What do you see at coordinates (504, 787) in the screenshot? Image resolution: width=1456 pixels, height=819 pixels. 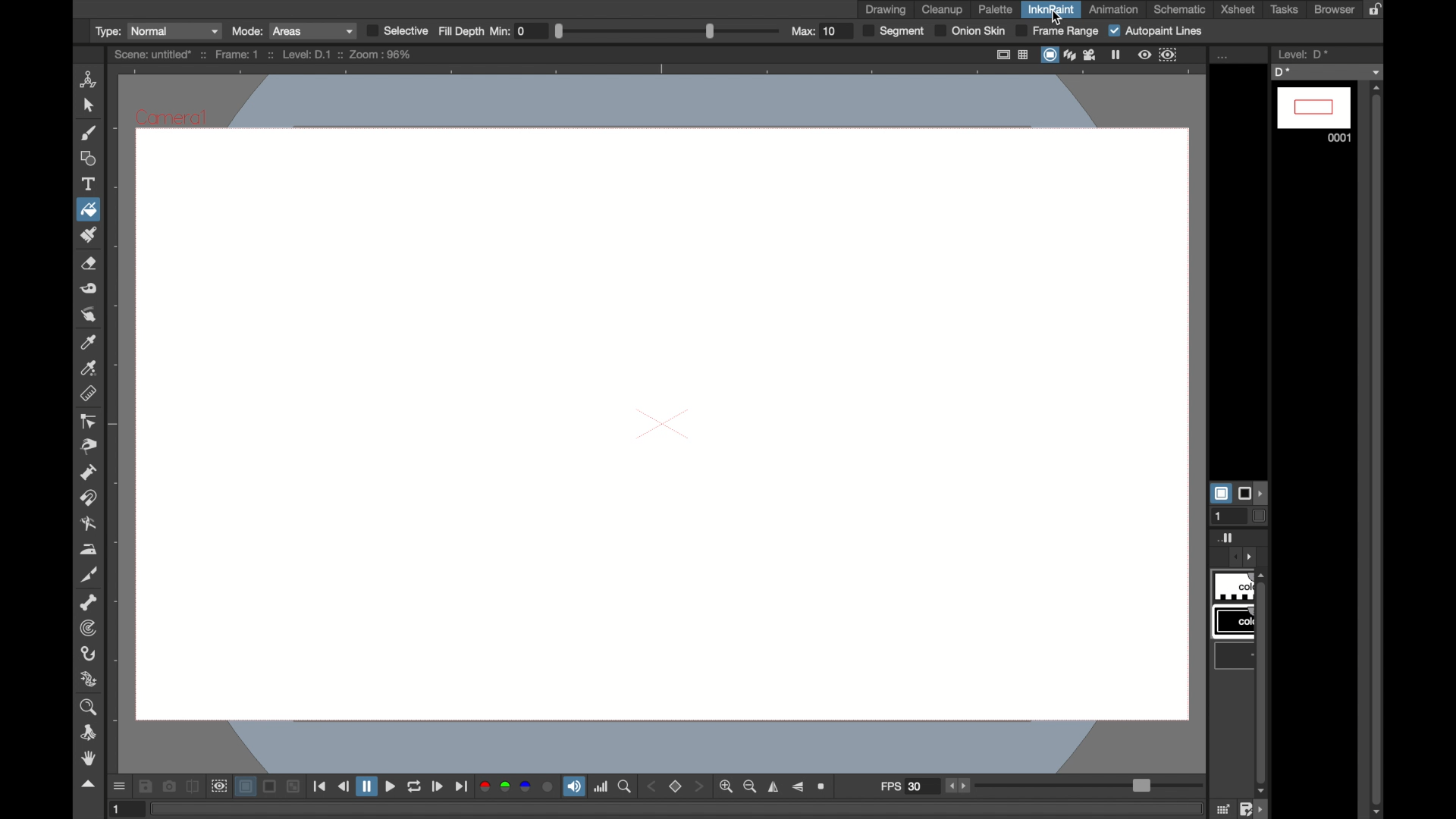 I see `green` at bounding box center [504, 787].